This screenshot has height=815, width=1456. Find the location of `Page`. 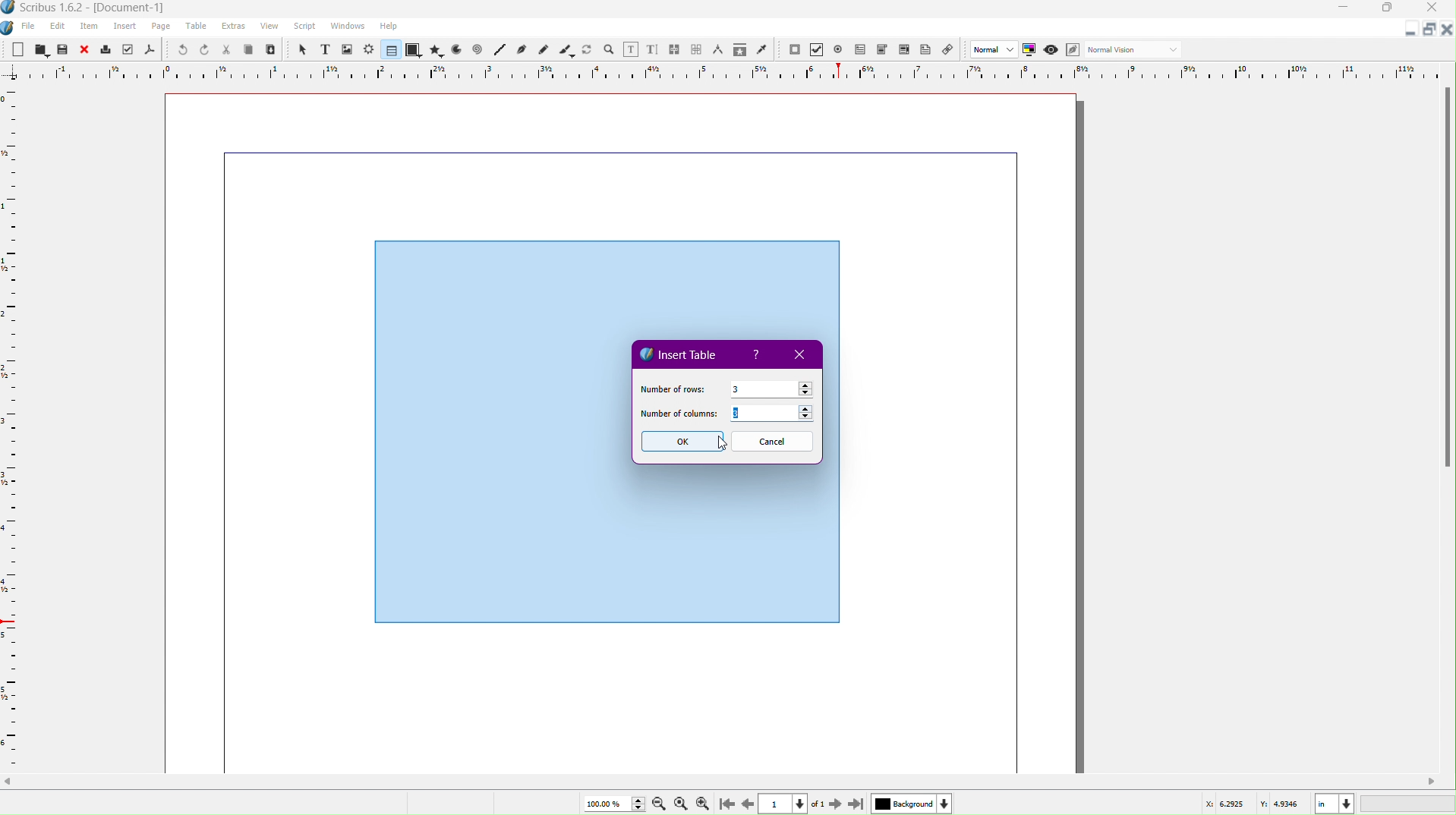

Page is located at coordinates (162, 27).